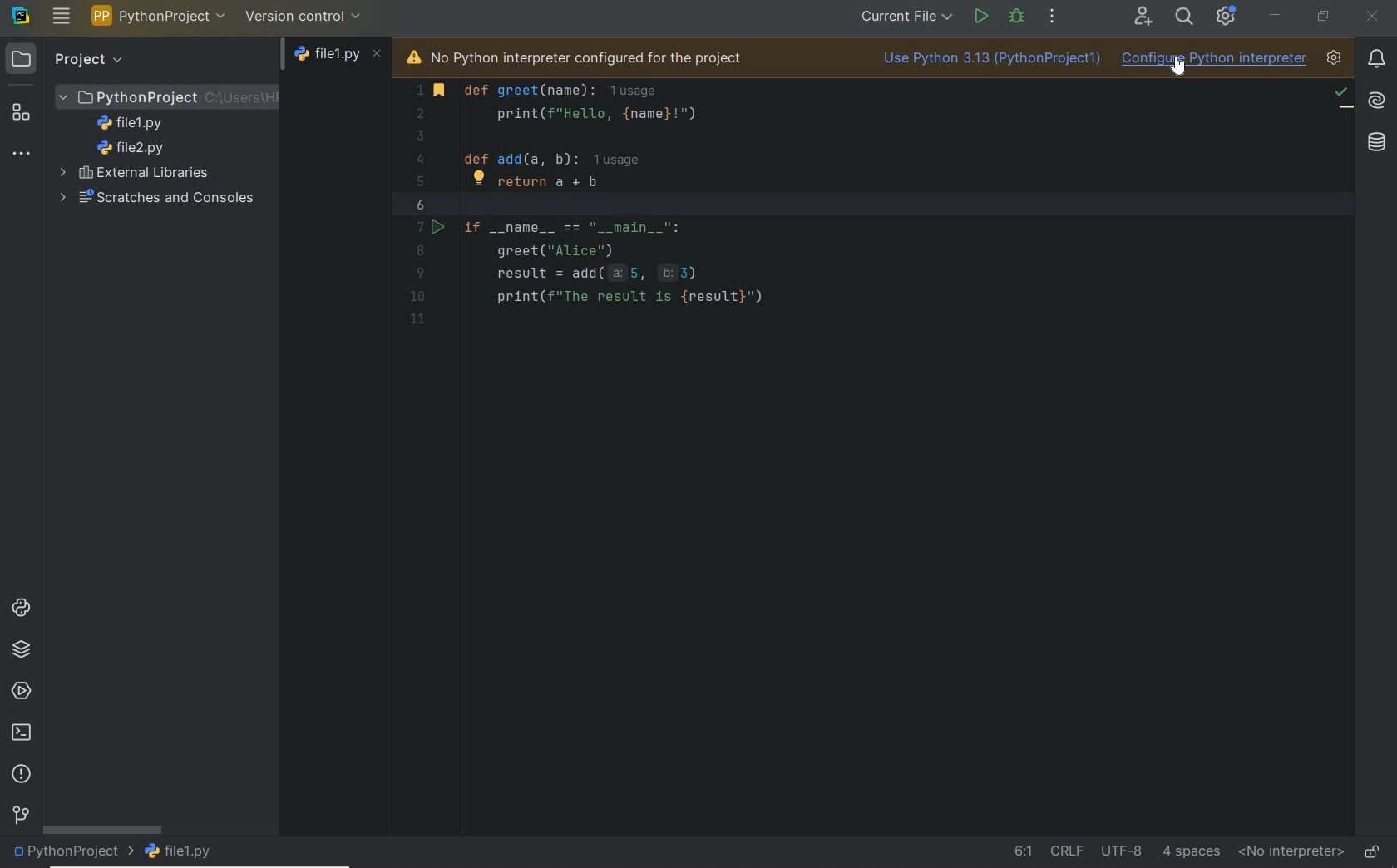 This screenshot has height=868, width=1397. I want to click on indent, so click(1192, 851).